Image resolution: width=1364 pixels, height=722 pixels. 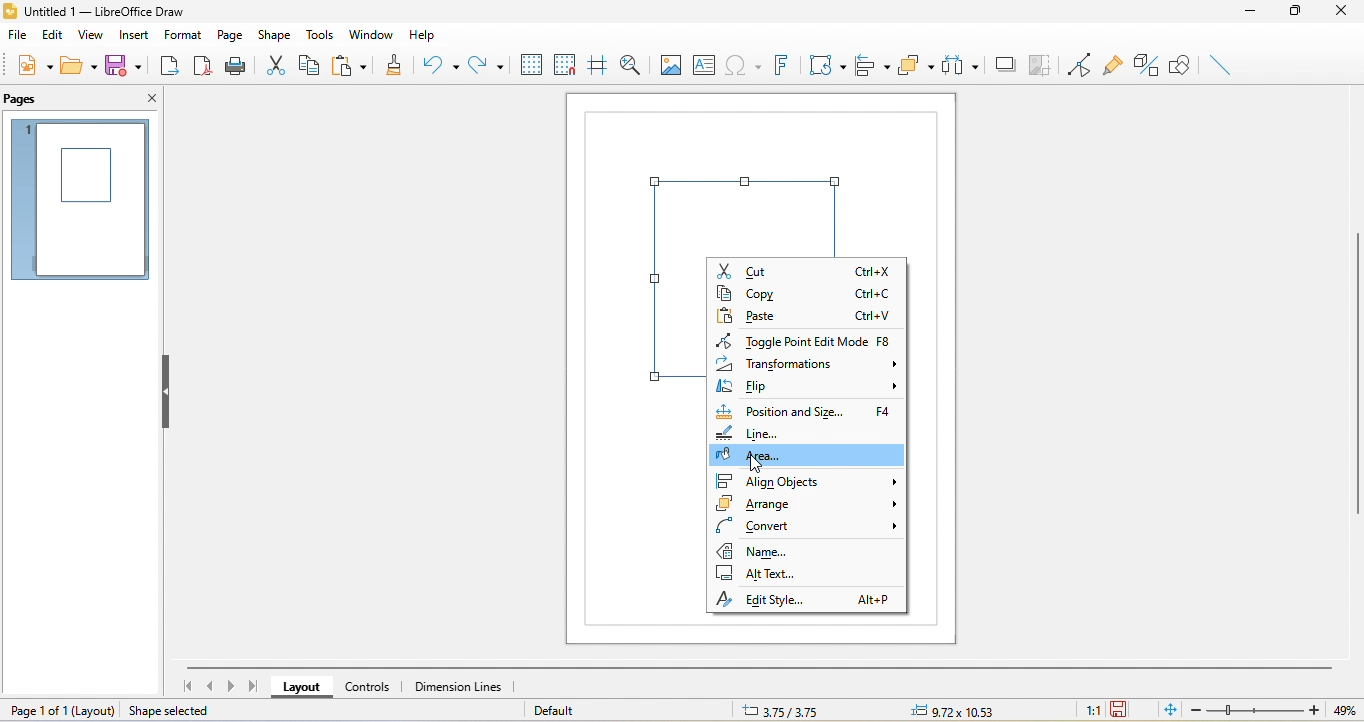 I want to click on export, so click(x=169, y=68).